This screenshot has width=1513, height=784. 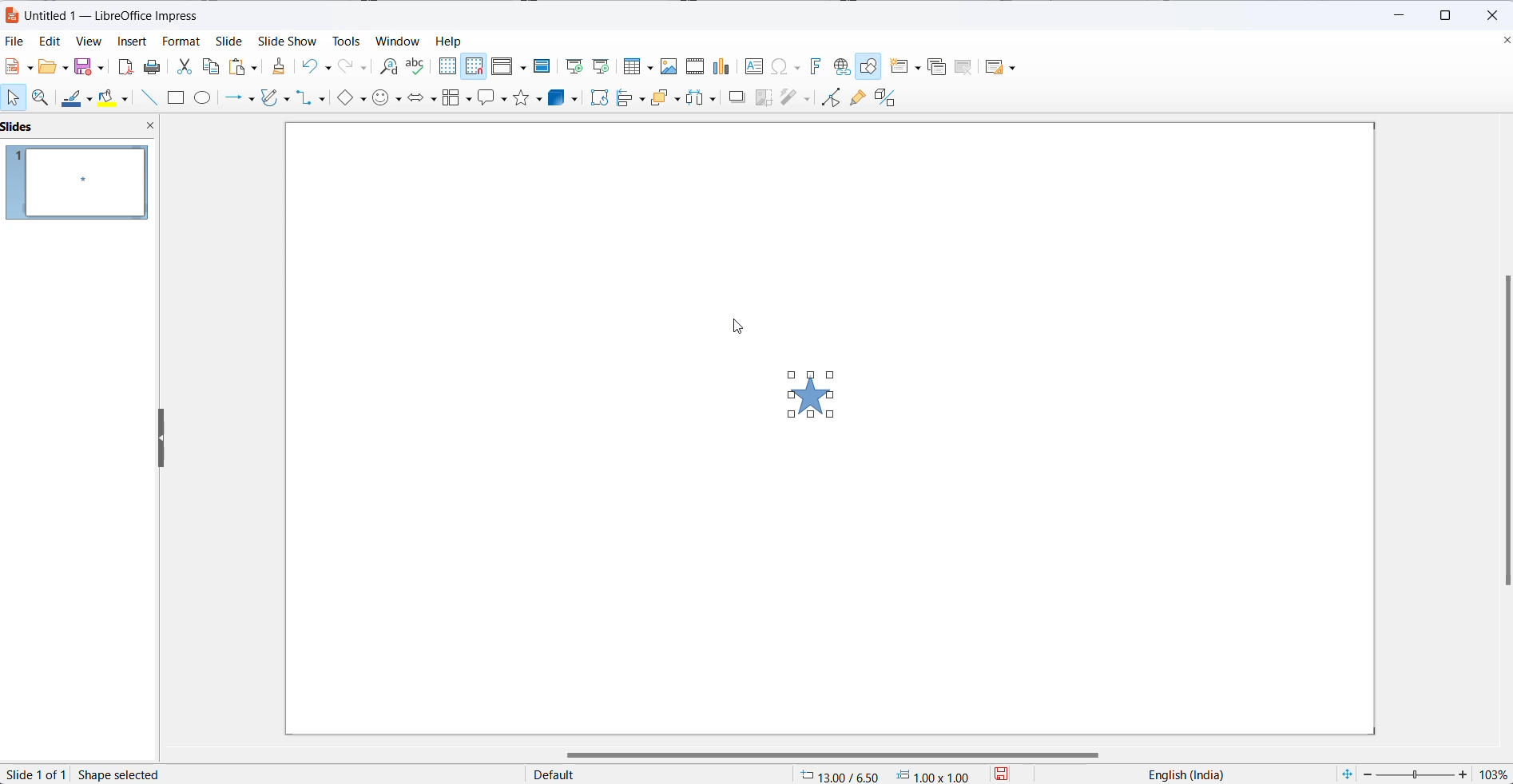 I want to click on zoom and pan, so click(x=43, y=97).